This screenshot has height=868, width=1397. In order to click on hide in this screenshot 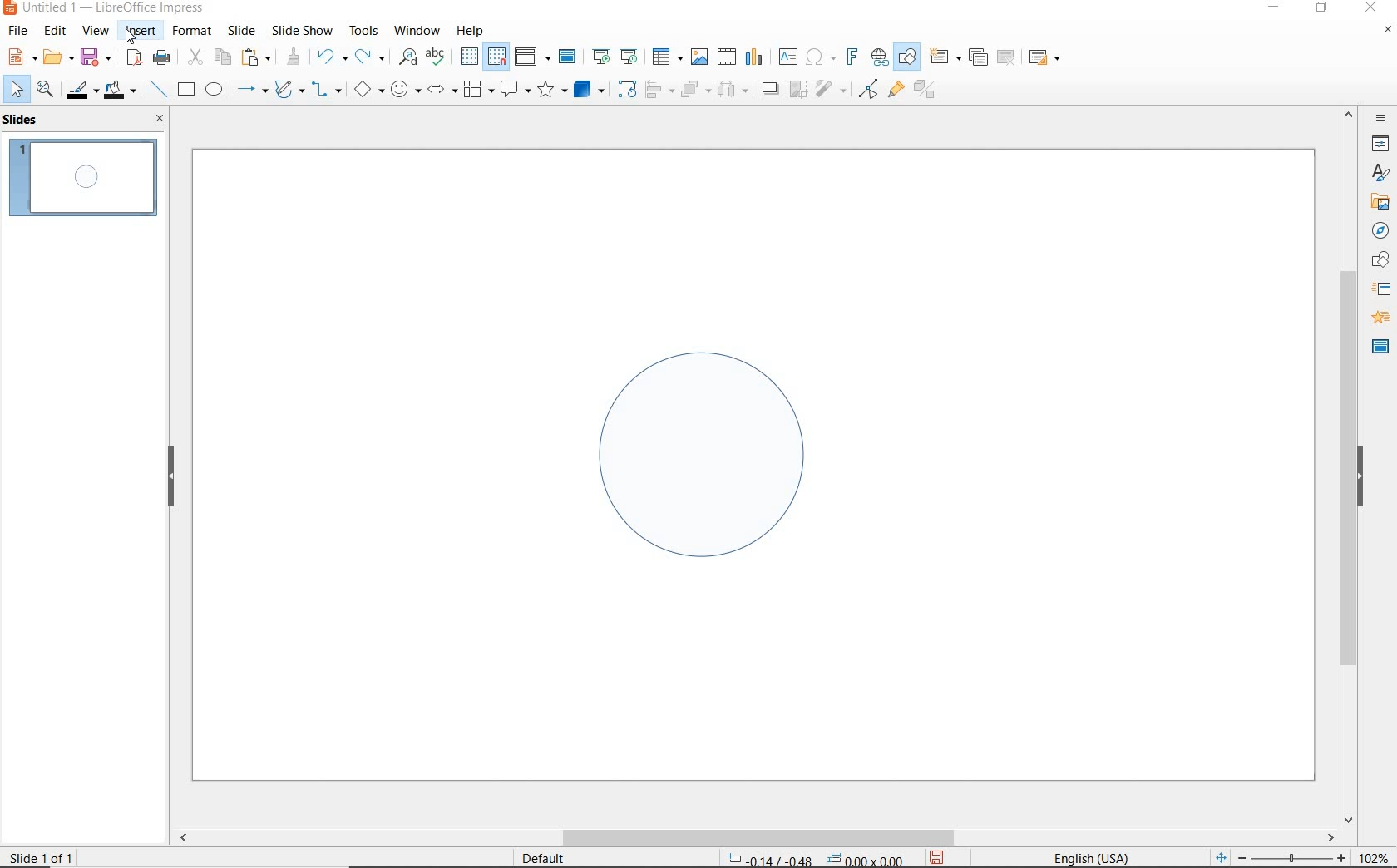, I will do `click(1360, 478)`.